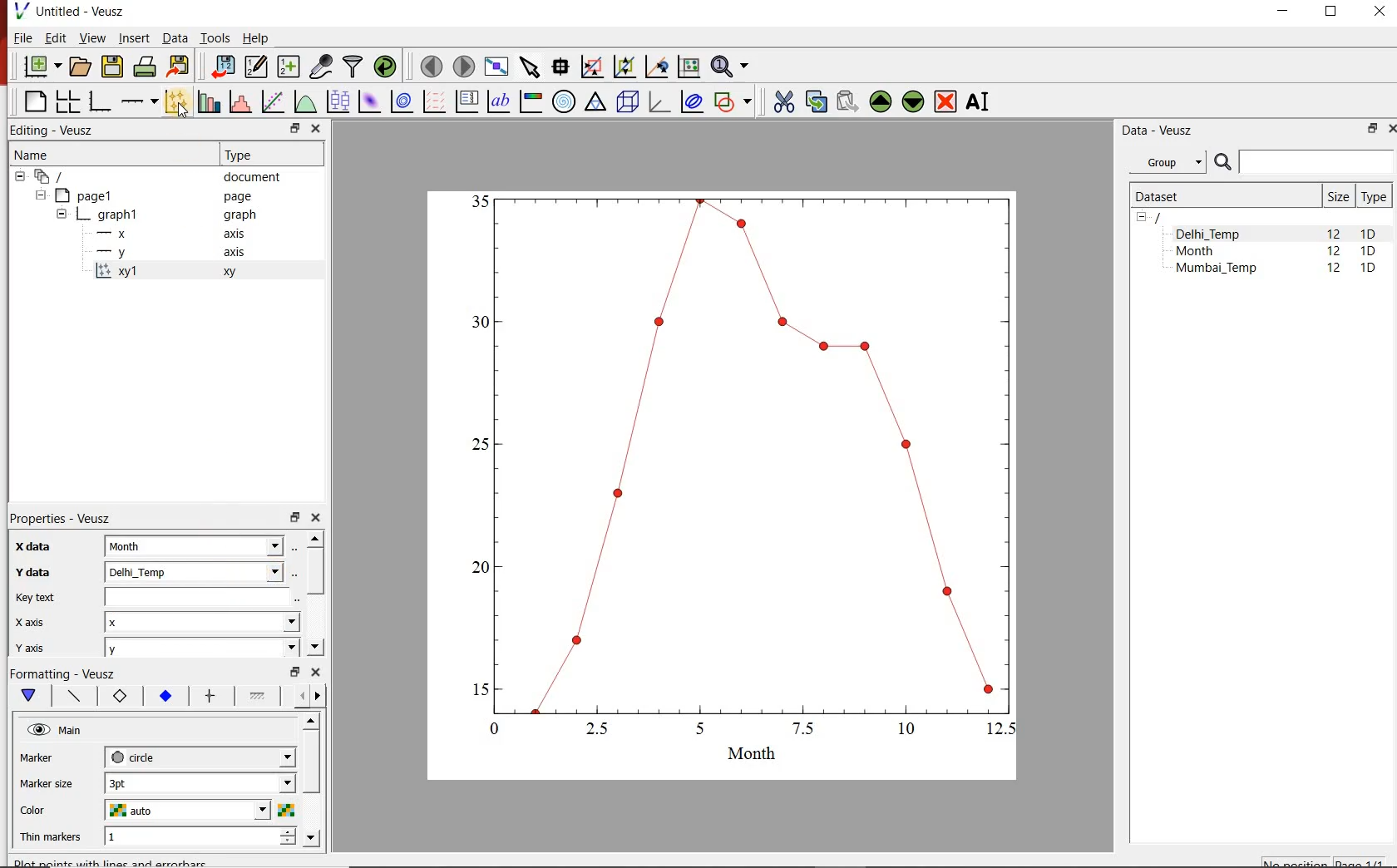 The image size is (1397, 868). I want to click on Properties - Veusz, so click(57, 519).